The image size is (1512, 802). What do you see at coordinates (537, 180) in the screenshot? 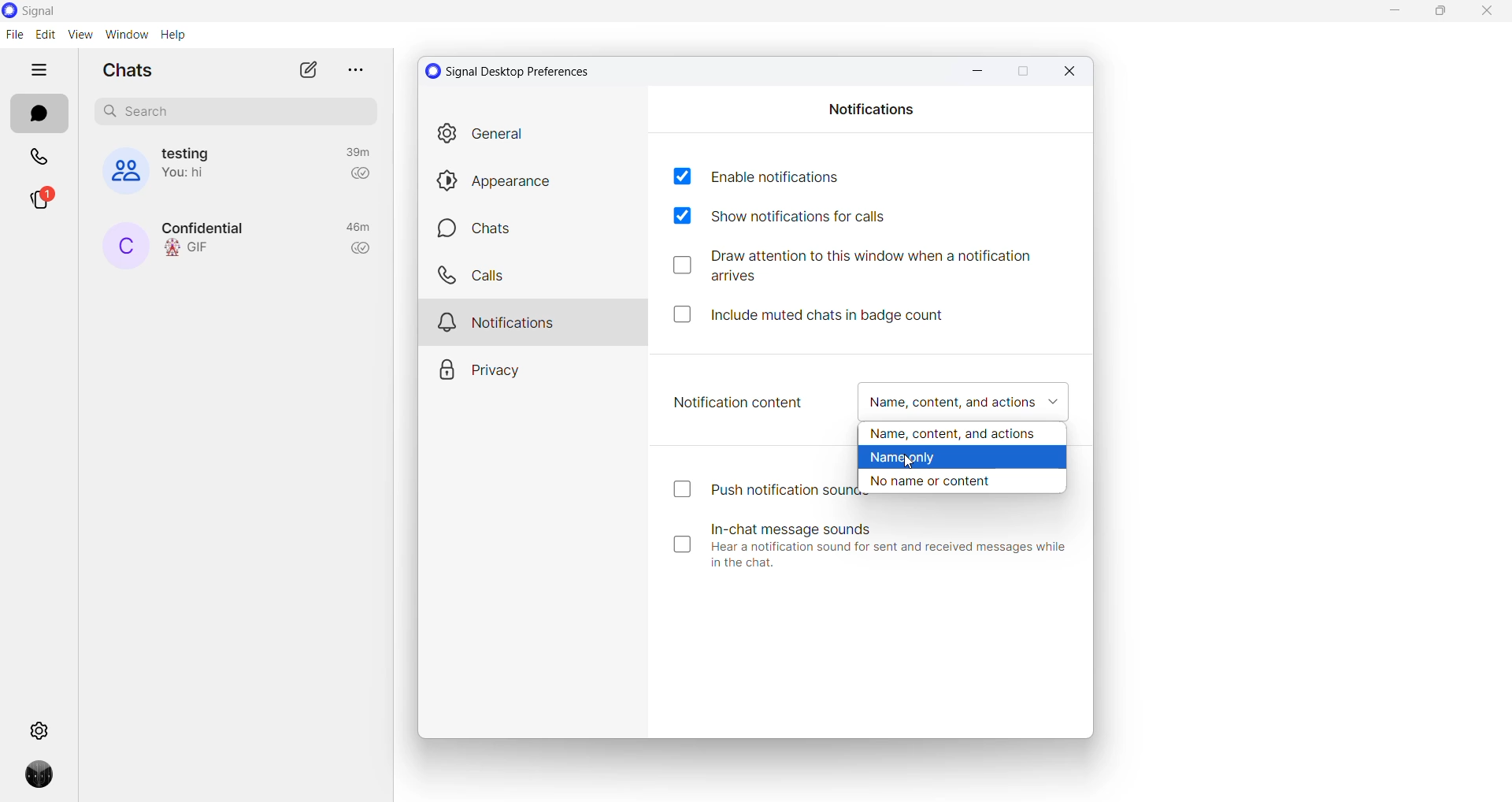
I see `appearance` at bounding box center [537, 180].